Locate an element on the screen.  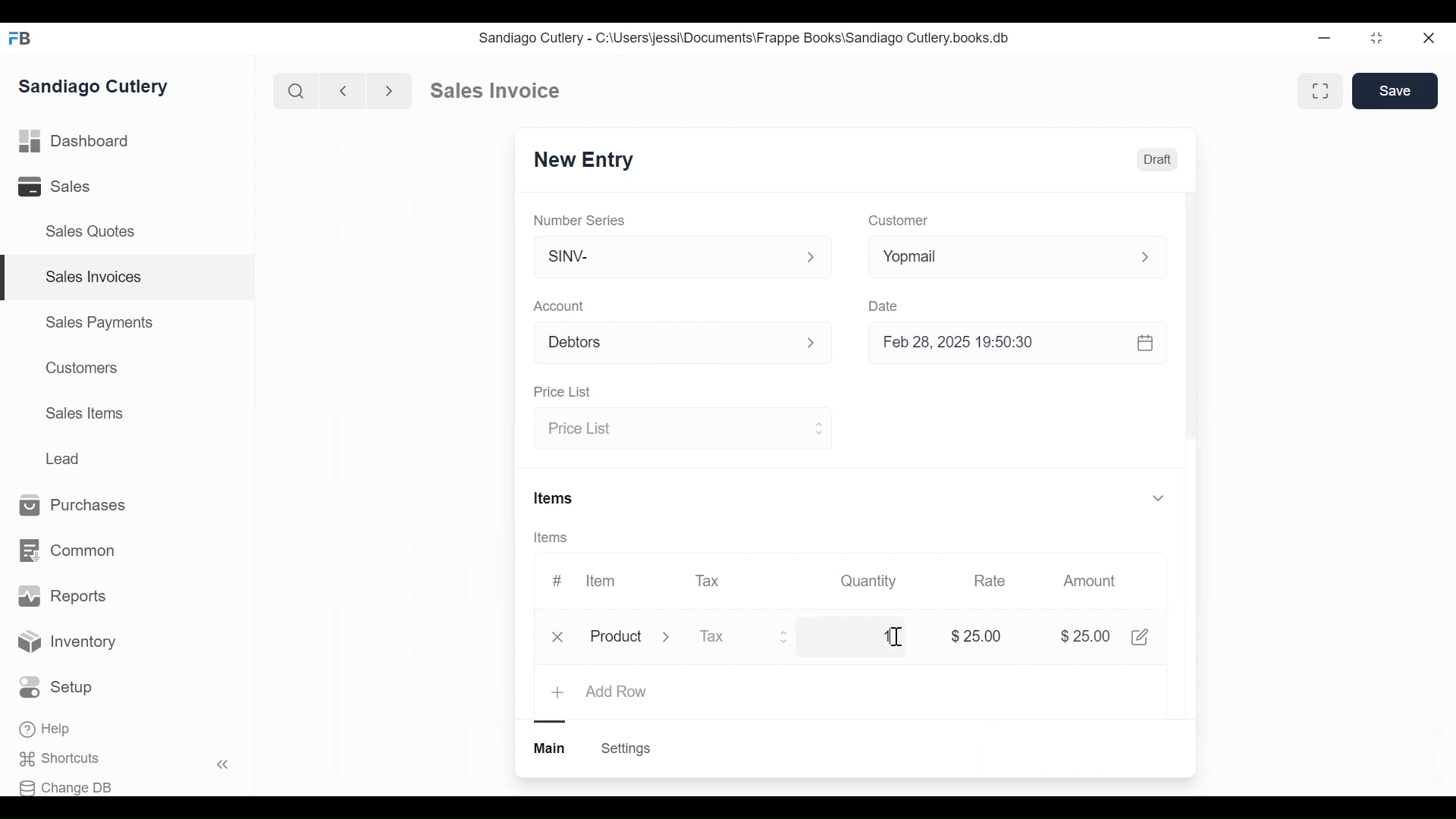
1  is located at coordinates (887, 635).